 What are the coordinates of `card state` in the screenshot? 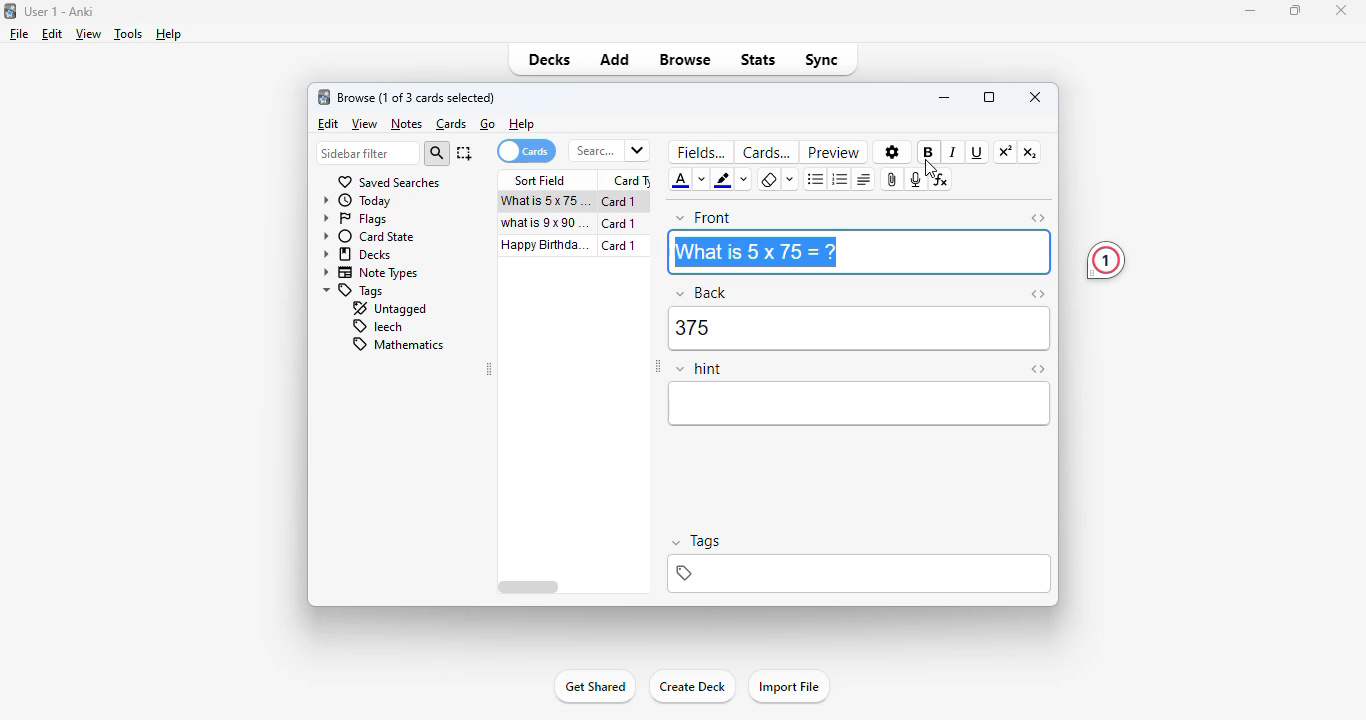 It's located at (369, 236).